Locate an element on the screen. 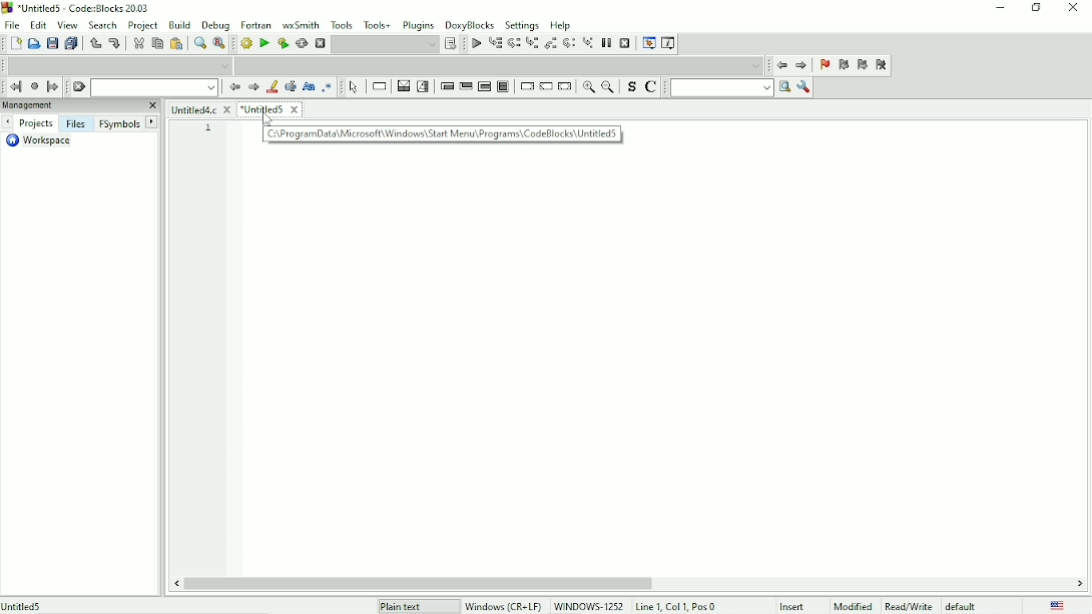 The height and width of the screenshot is (614, 1092). Cut is located at coordinates (138, 43).